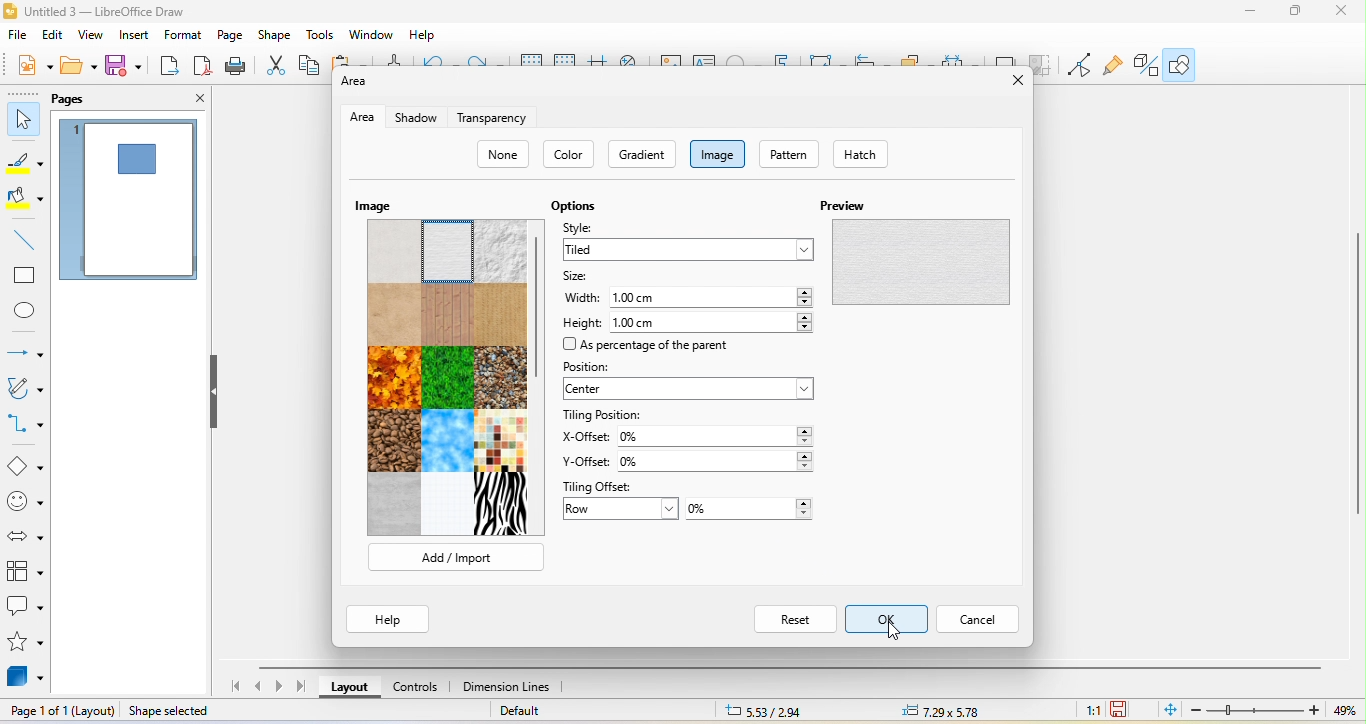  I want to click on line, so click(24, 241).